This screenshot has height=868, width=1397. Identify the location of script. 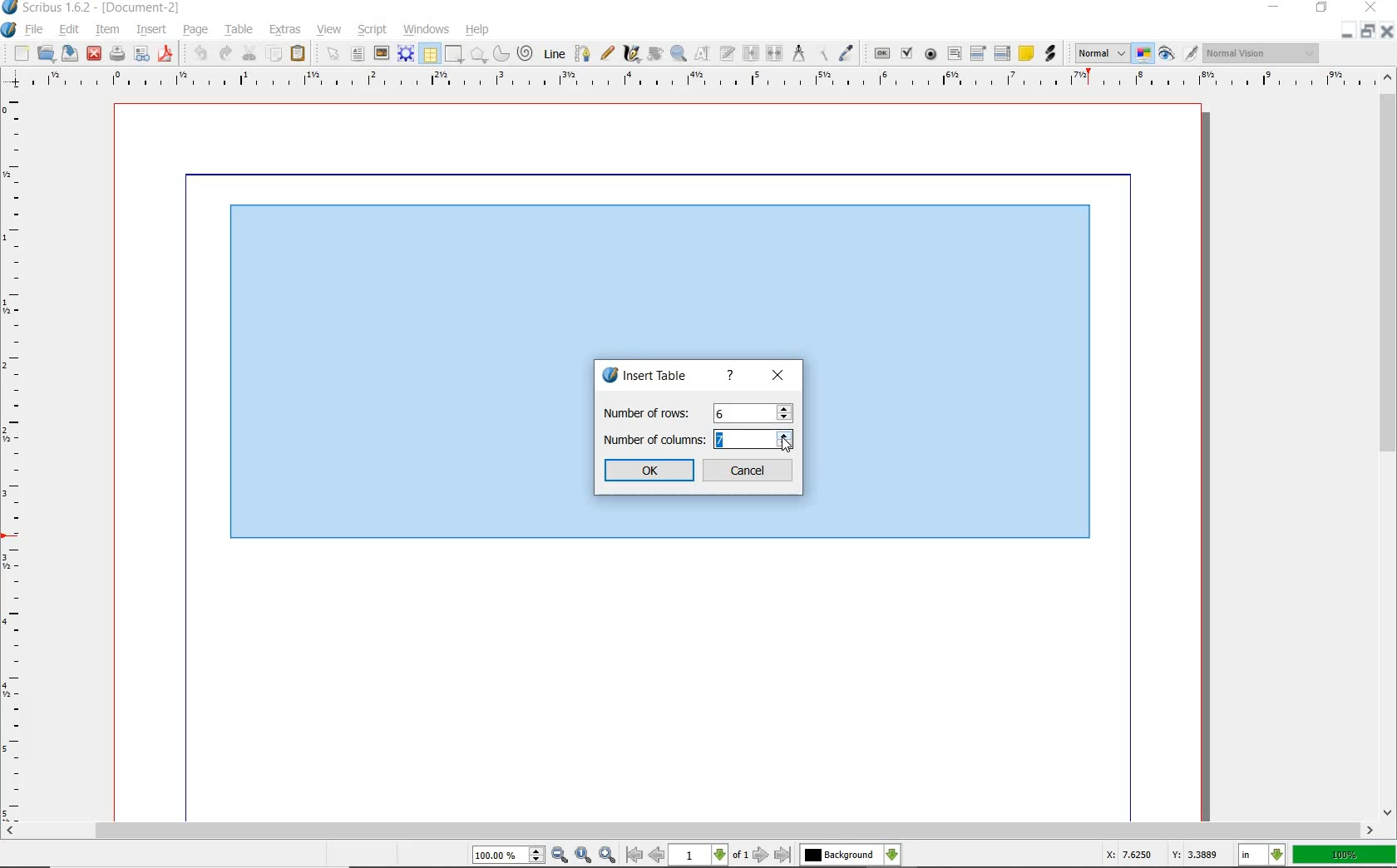
(373, 31).